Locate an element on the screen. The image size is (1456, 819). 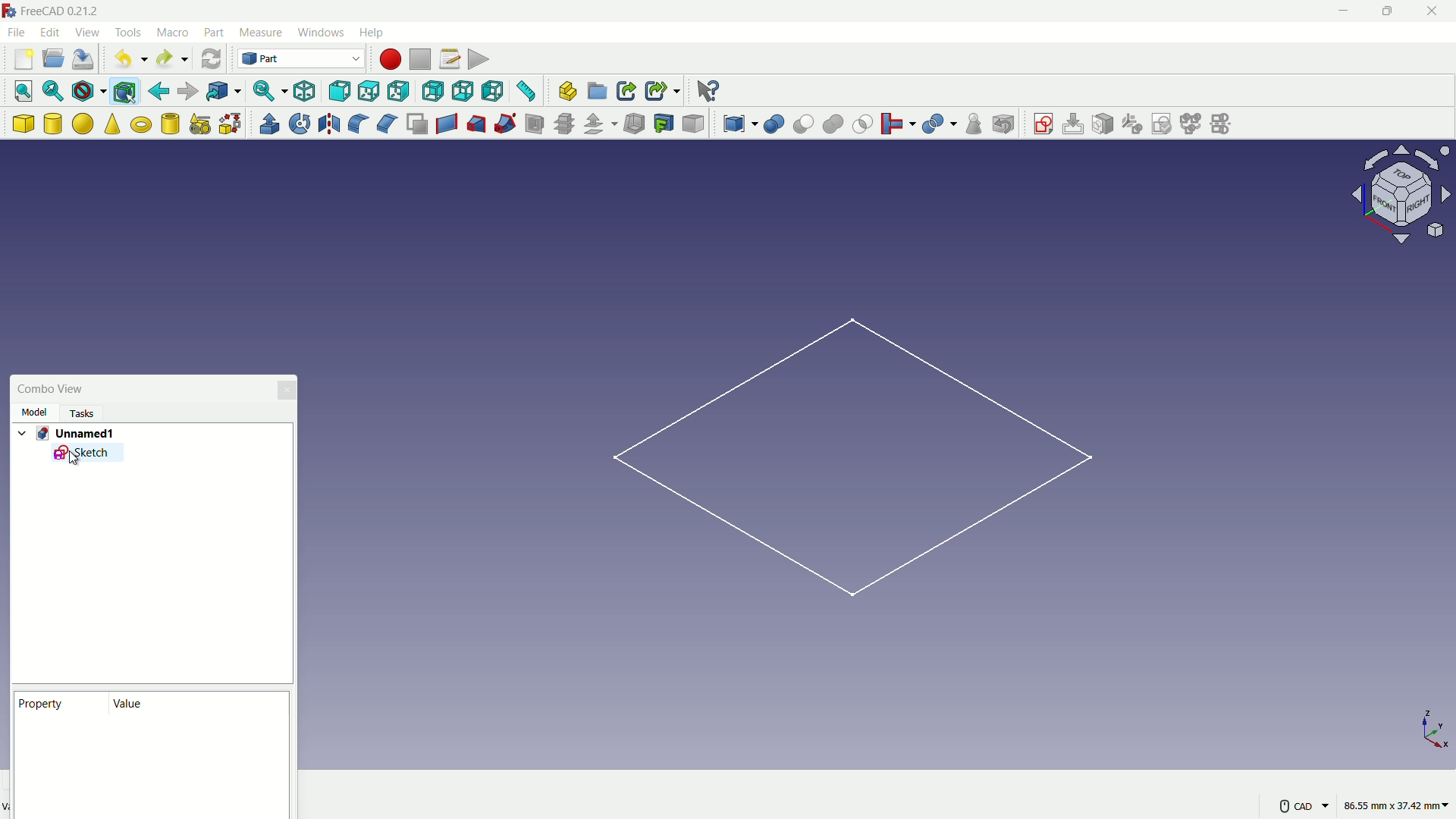
mirroring is located at coordinates (330, 124).